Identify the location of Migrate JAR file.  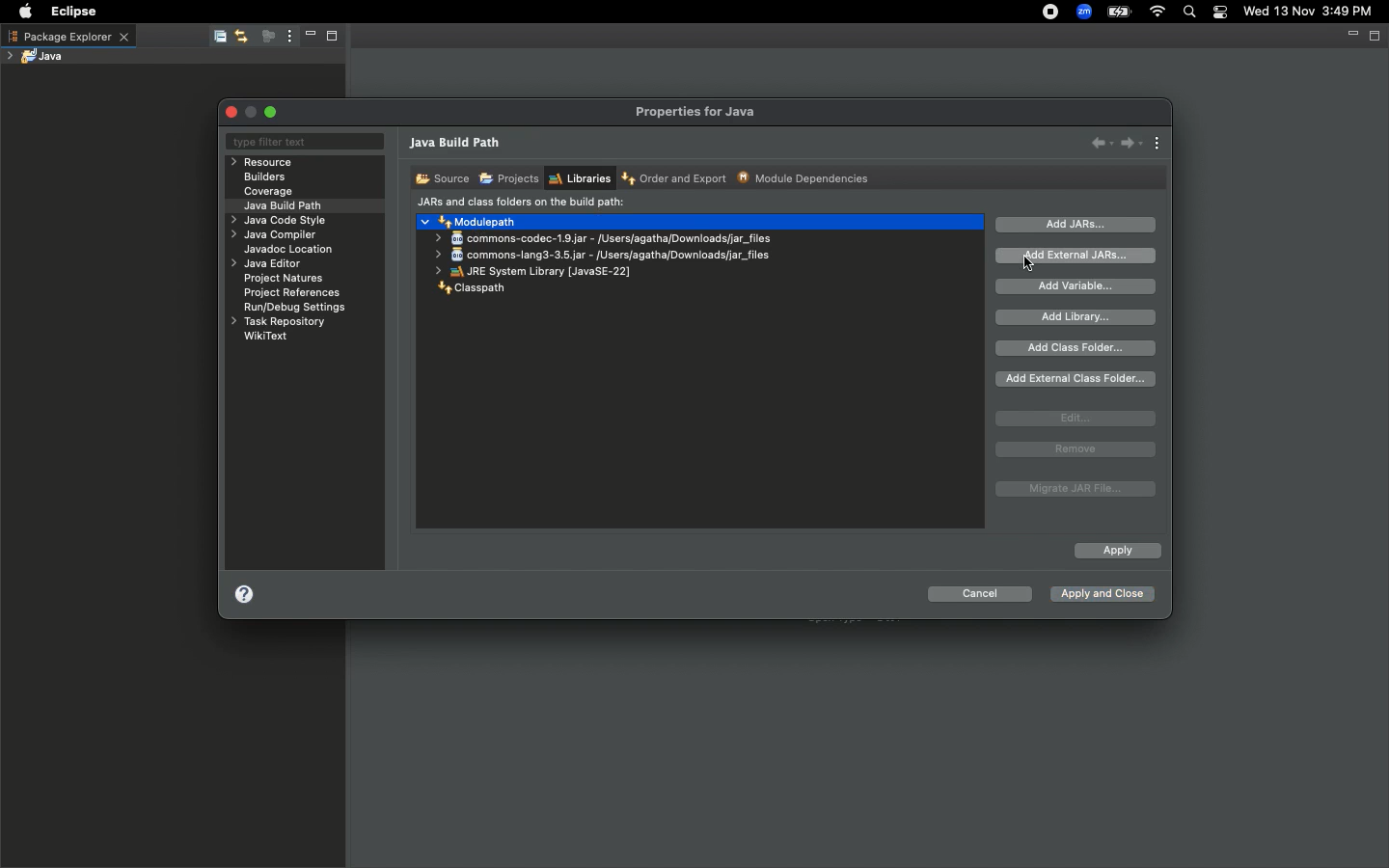
(1073, 490).